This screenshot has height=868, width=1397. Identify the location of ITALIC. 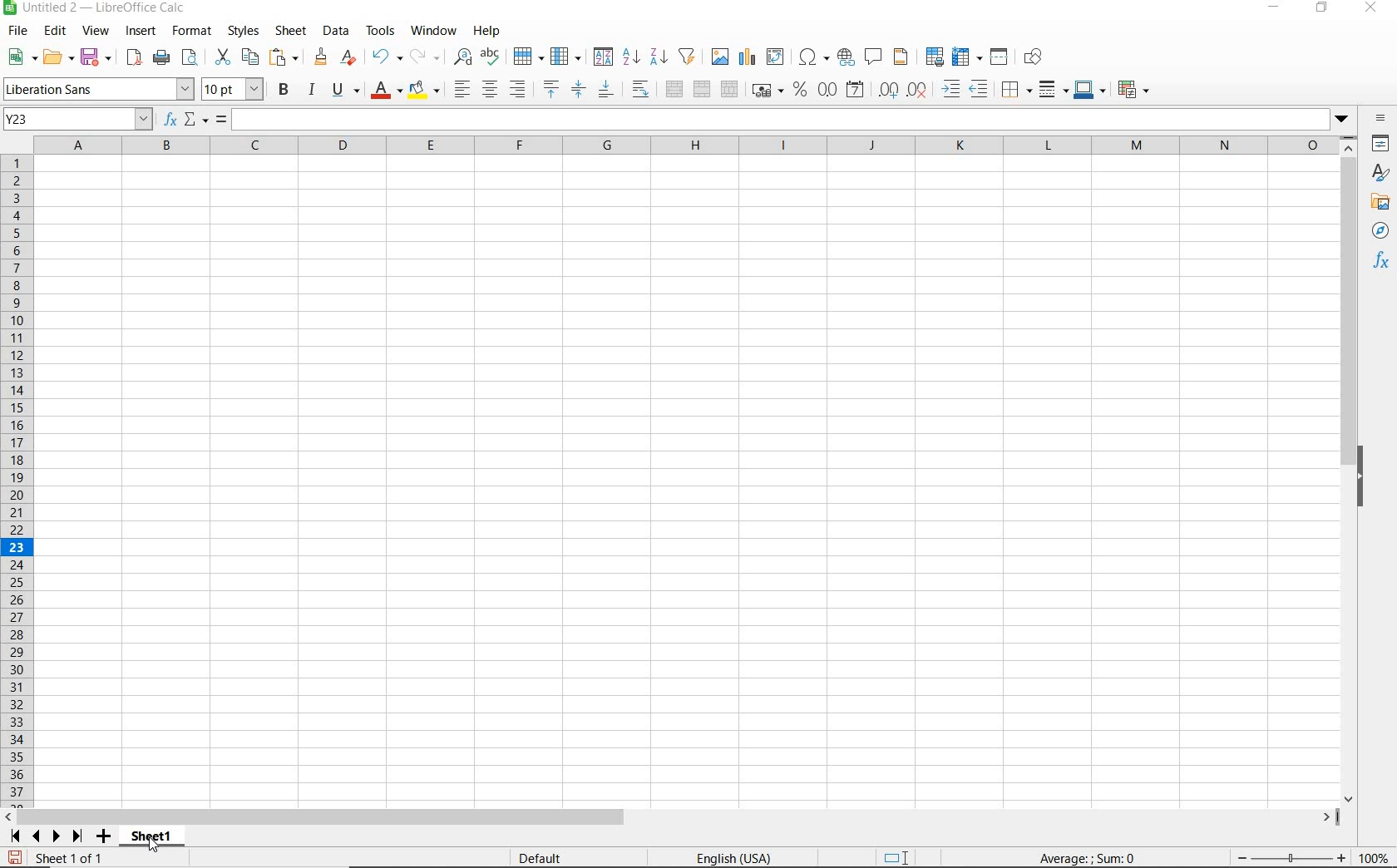
(313, 91).